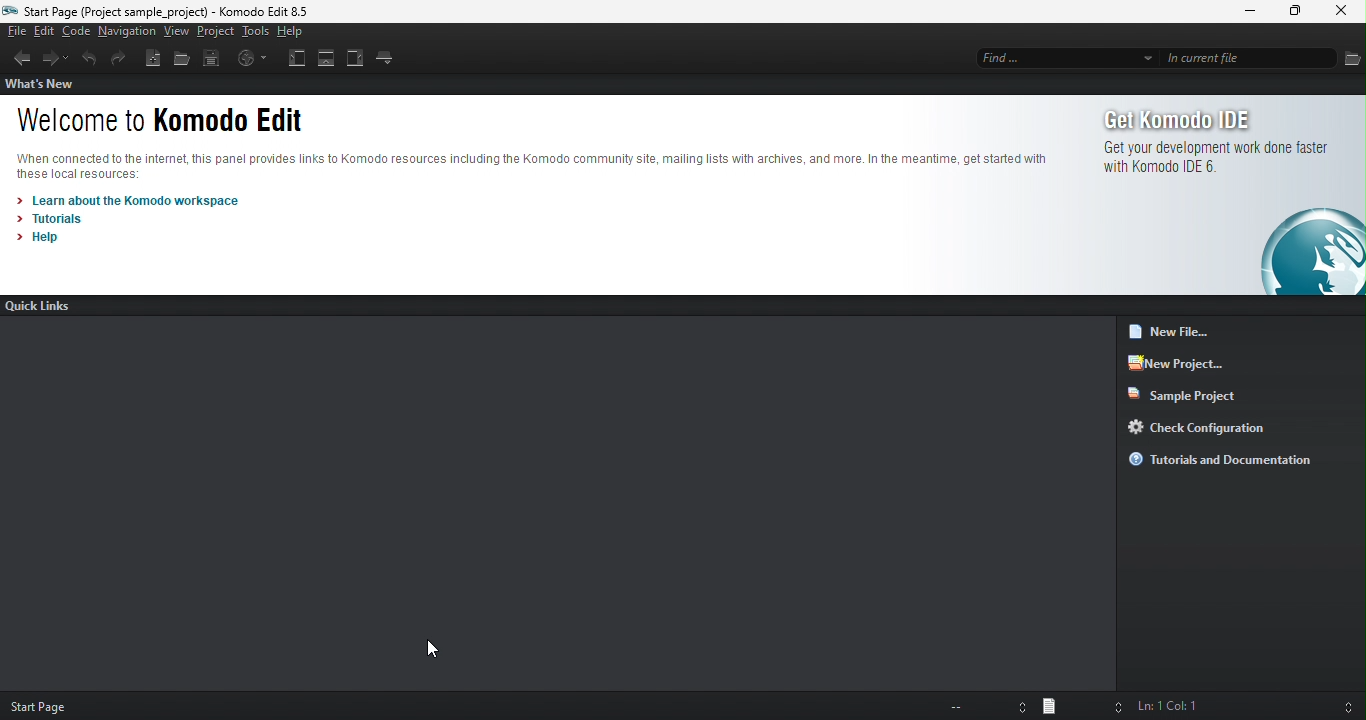  Describe the element at coordinates (1220, 115) in the screenshot. I see `get komodo ide` at that location.